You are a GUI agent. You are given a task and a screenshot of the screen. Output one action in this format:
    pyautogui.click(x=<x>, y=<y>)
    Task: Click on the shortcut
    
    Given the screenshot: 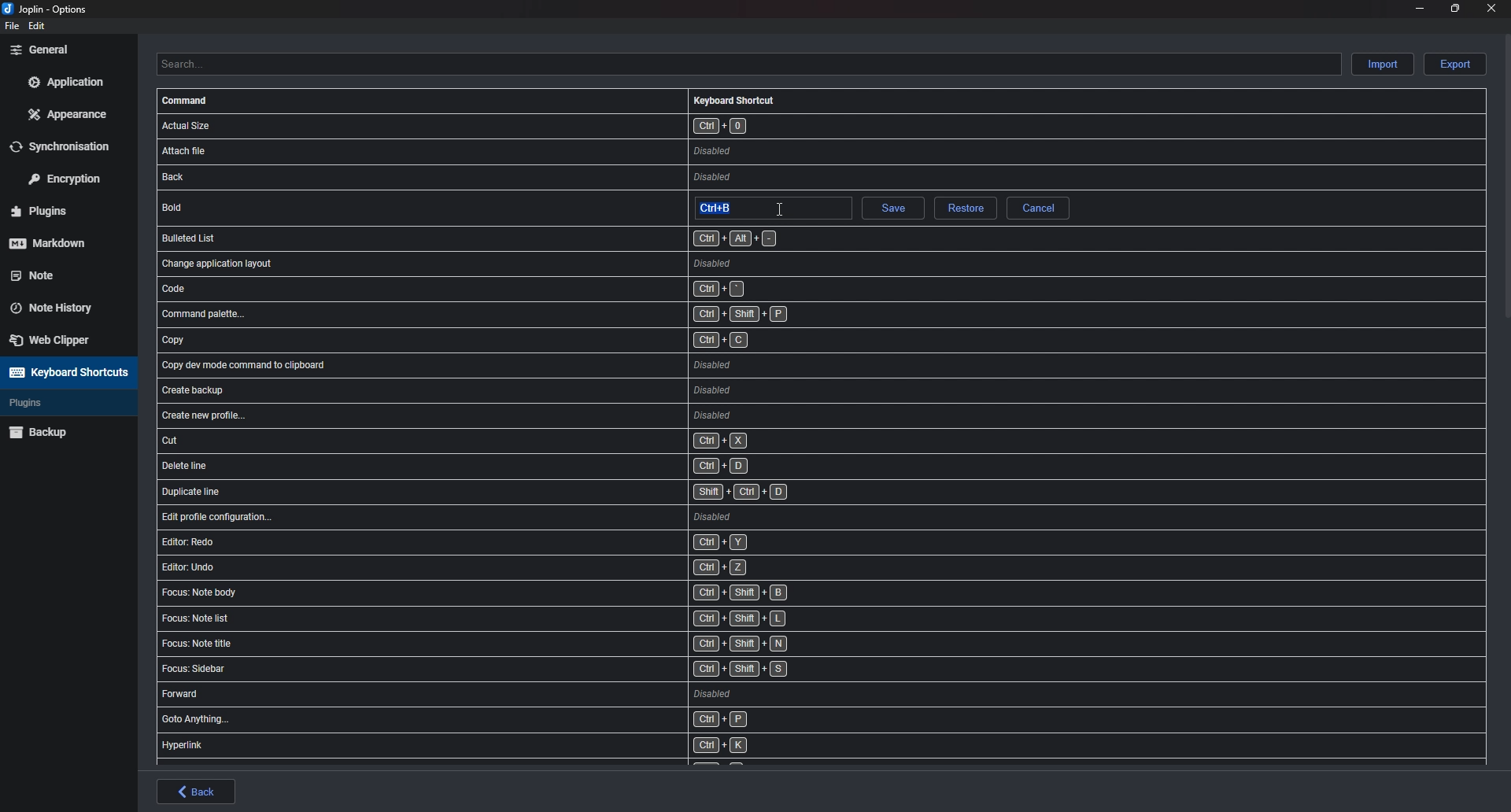 What is the action you would take?
    pyautogui.click(x=530, y=288)
    